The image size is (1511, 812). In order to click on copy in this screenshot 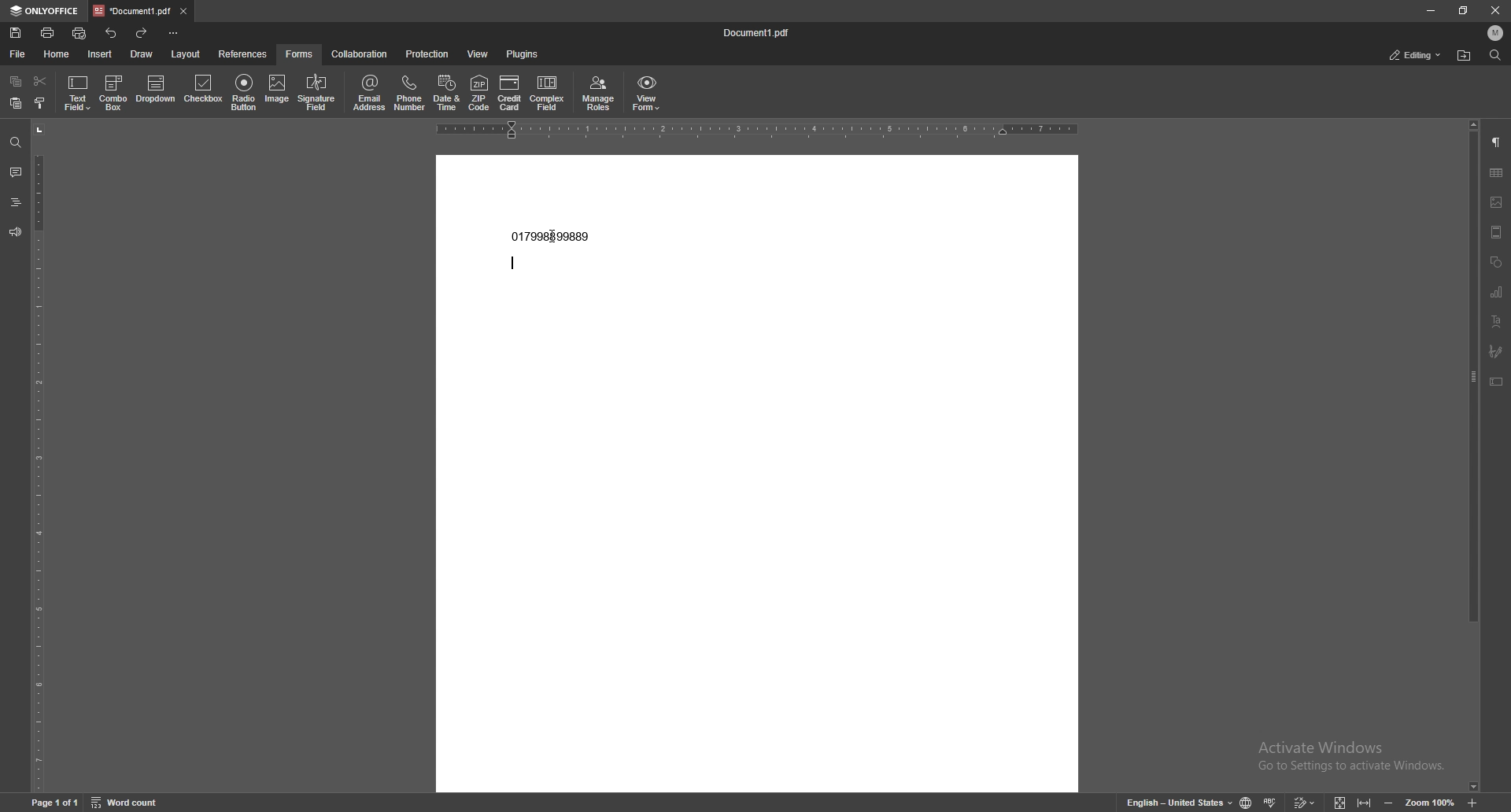, I will do `click(15, 81)`.